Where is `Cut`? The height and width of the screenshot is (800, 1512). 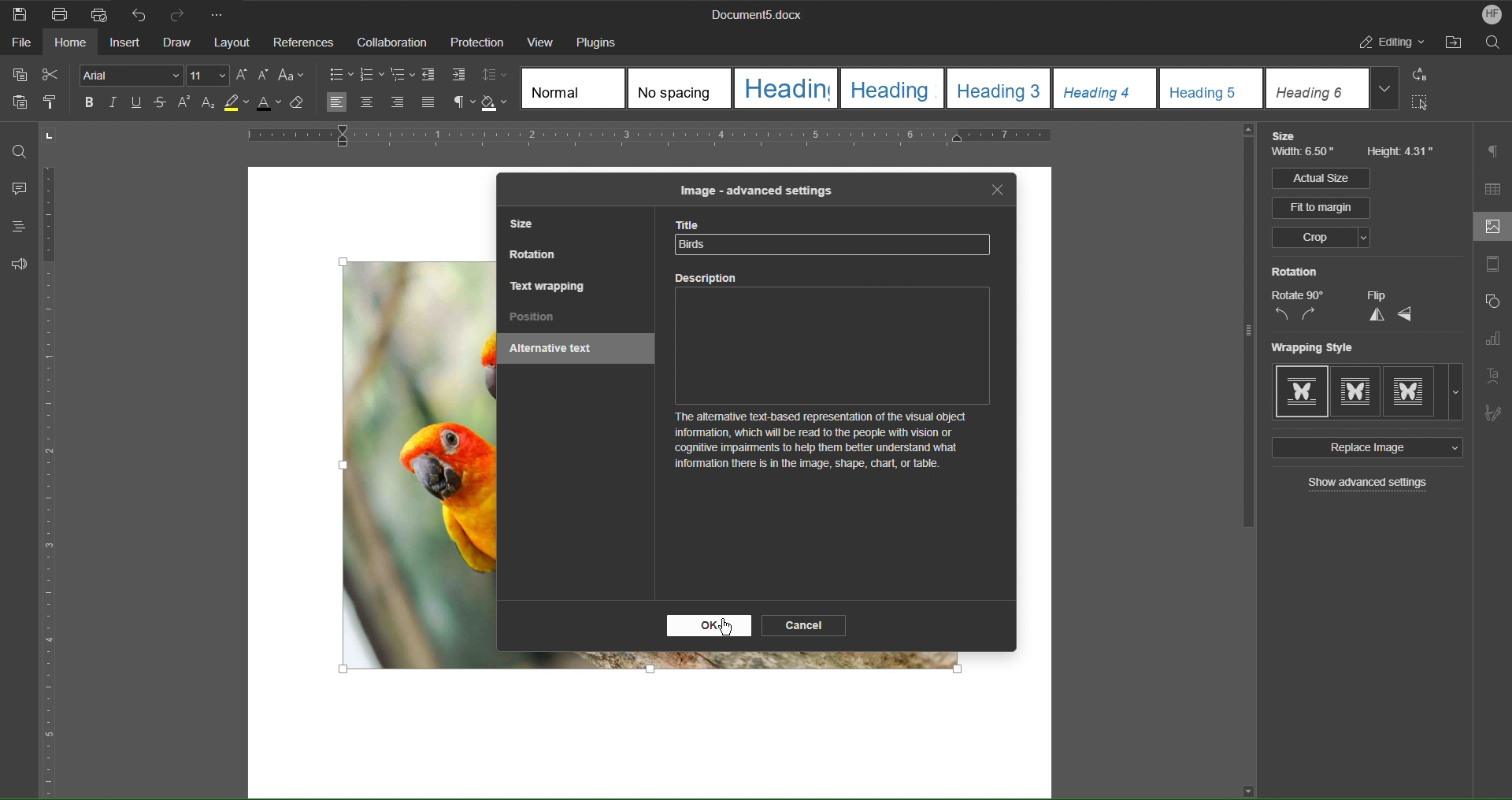 Cut is located at coordinates (54, 75).